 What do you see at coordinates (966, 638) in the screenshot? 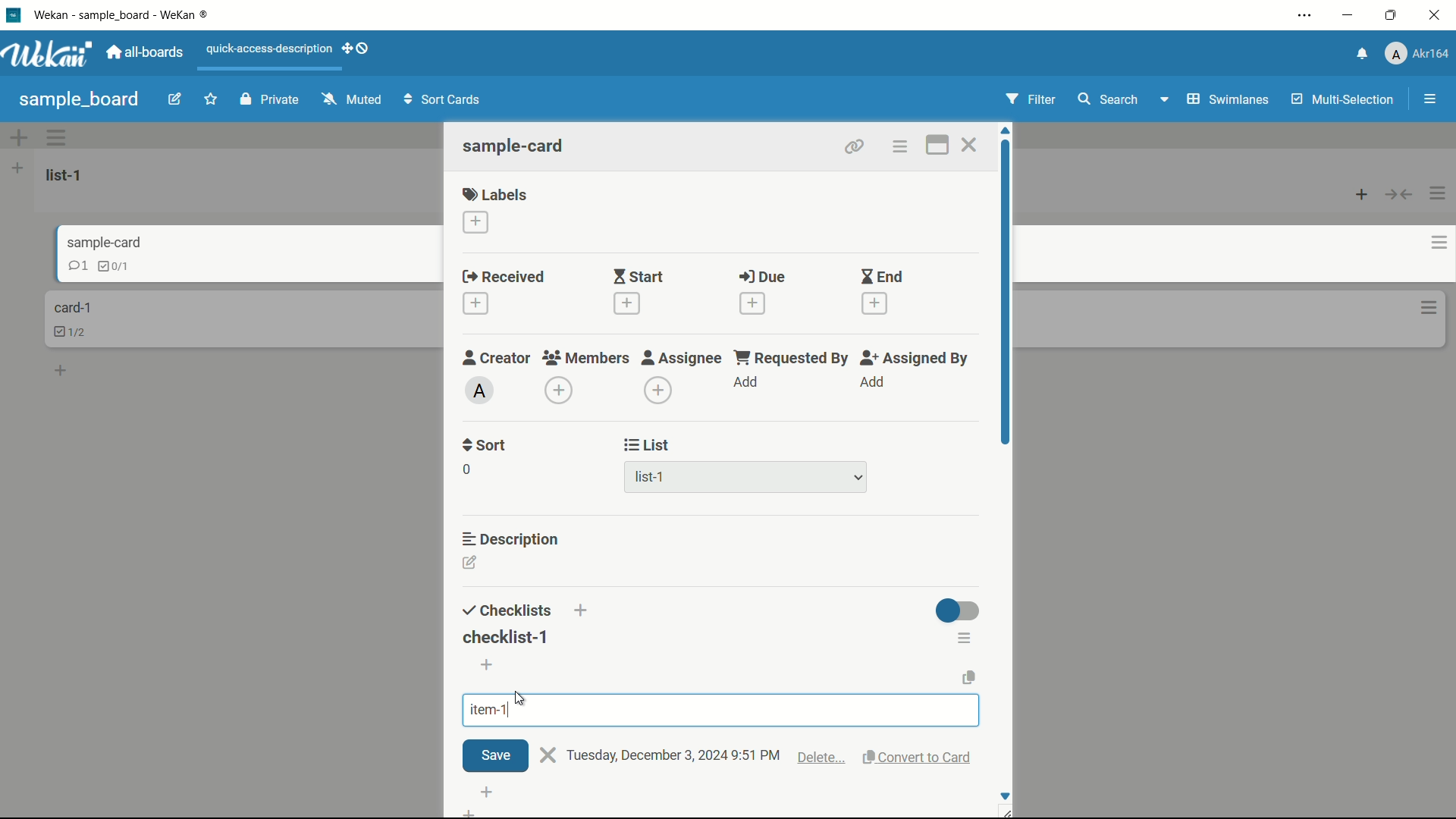
I see `checklist actions` at bounding box center [966, 638].